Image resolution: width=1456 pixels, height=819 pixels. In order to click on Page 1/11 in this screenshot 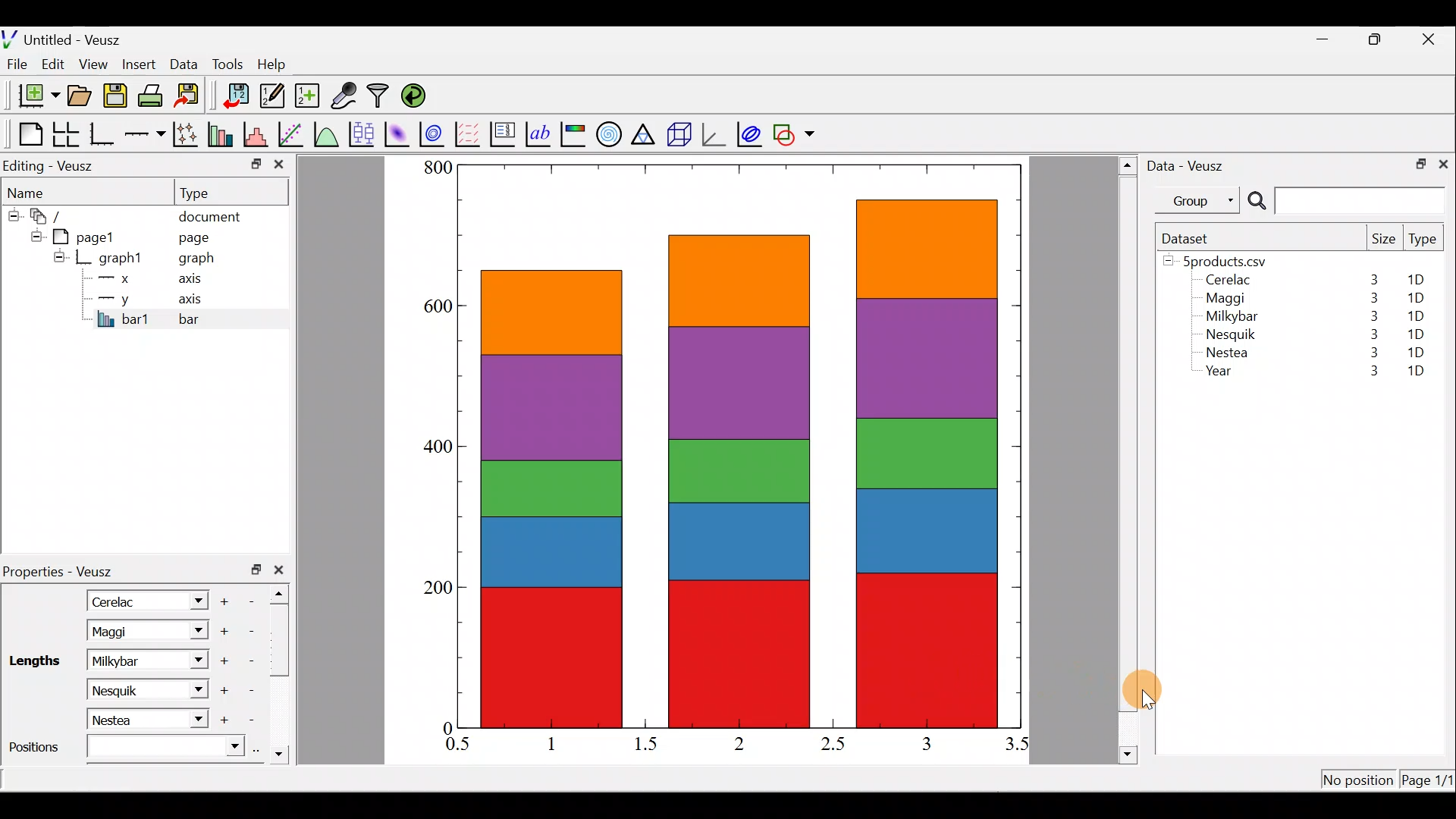, I will do `click(1429, 783)`.